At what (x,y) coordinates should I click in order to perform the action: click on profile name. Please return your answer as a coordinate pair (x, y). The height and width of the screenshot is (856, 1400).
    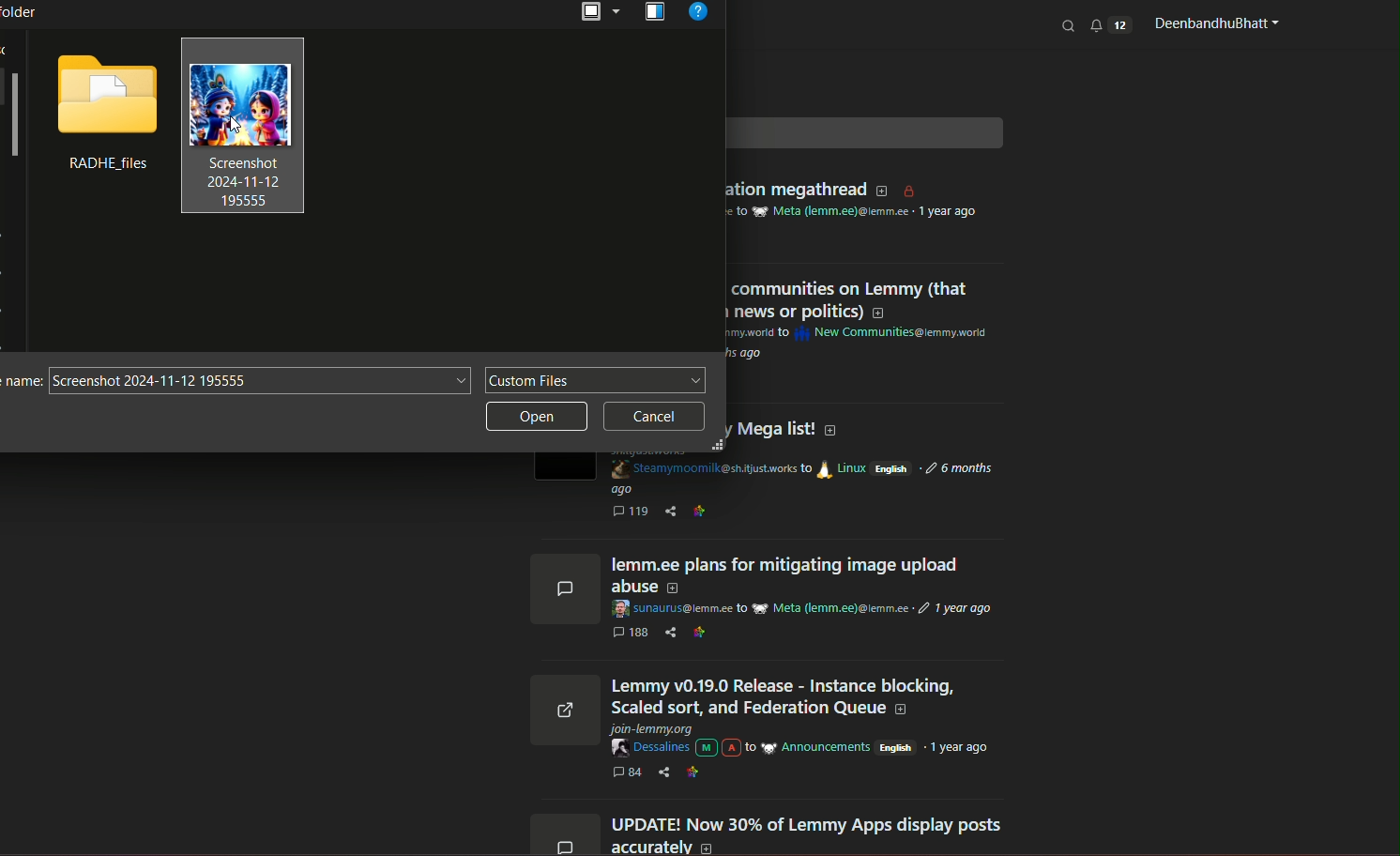
    Looking at the image, I should click on (1213, 23).